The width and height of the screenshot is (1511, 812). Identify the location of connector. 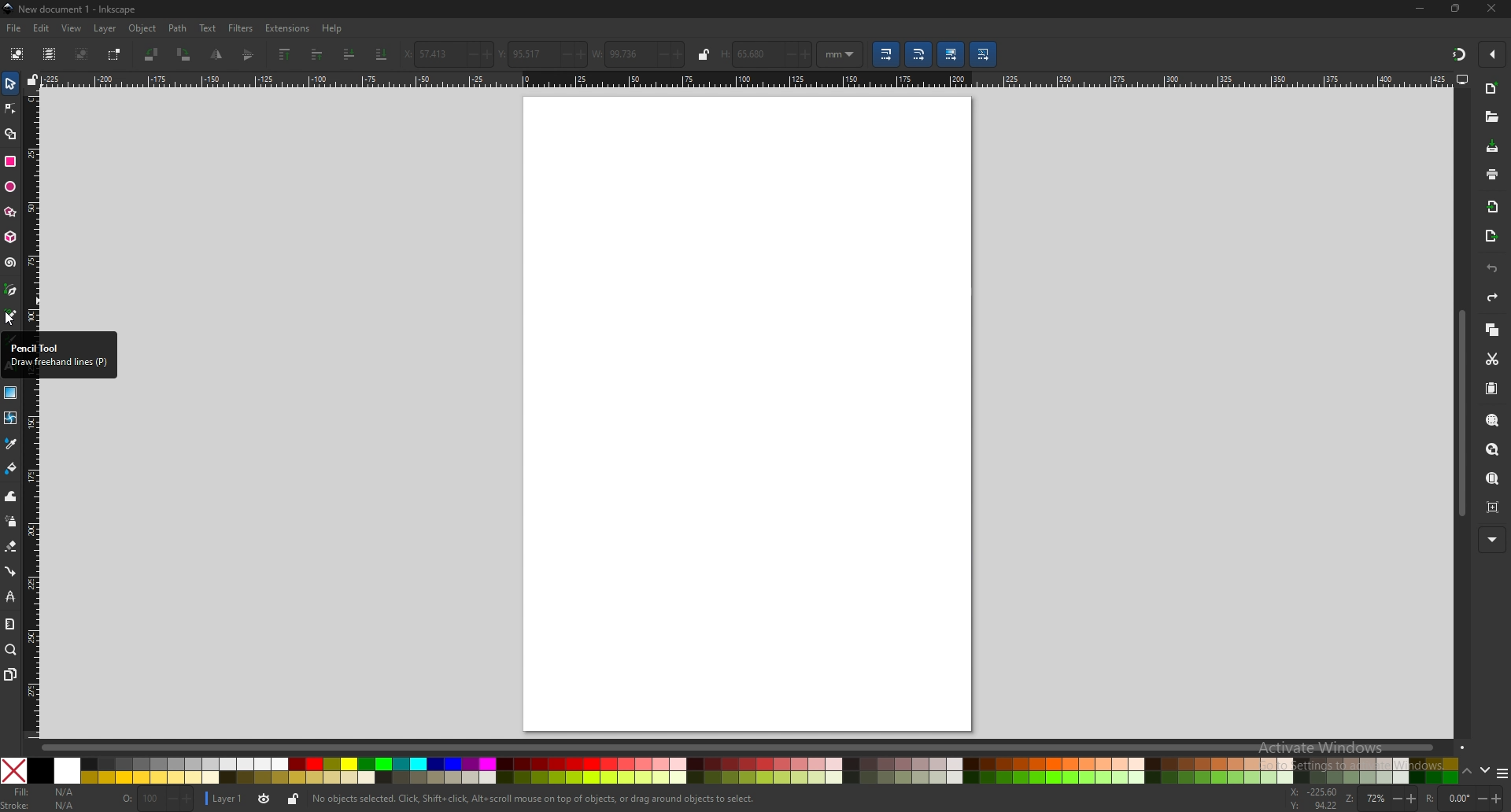
(10, 571).